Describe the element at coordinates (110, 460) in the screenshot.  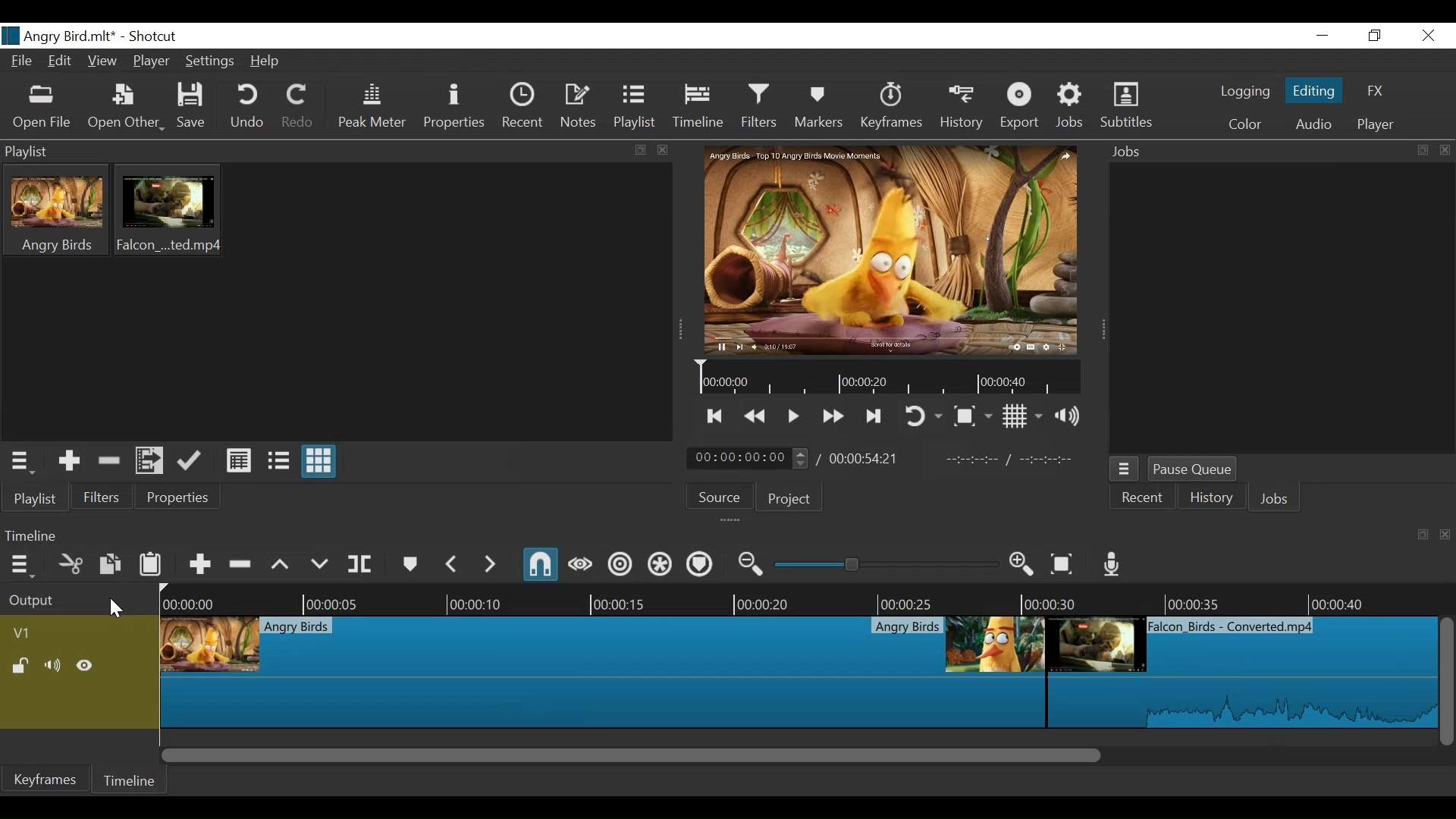
I see `Remove cut` at that location.